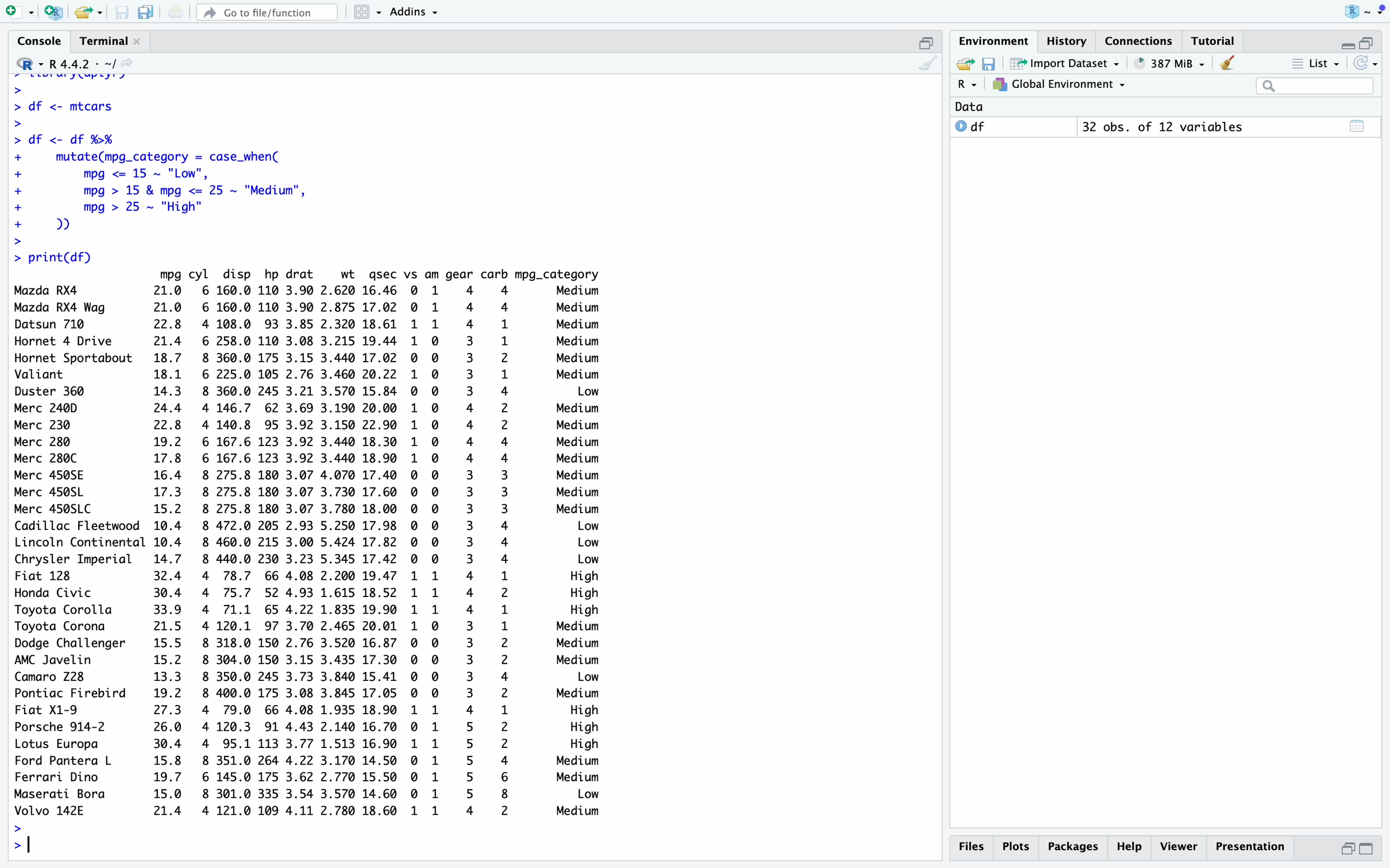 The height and width of the screenshot is (868, 1390). I want to click on open in separate window, so click(1367, 42).